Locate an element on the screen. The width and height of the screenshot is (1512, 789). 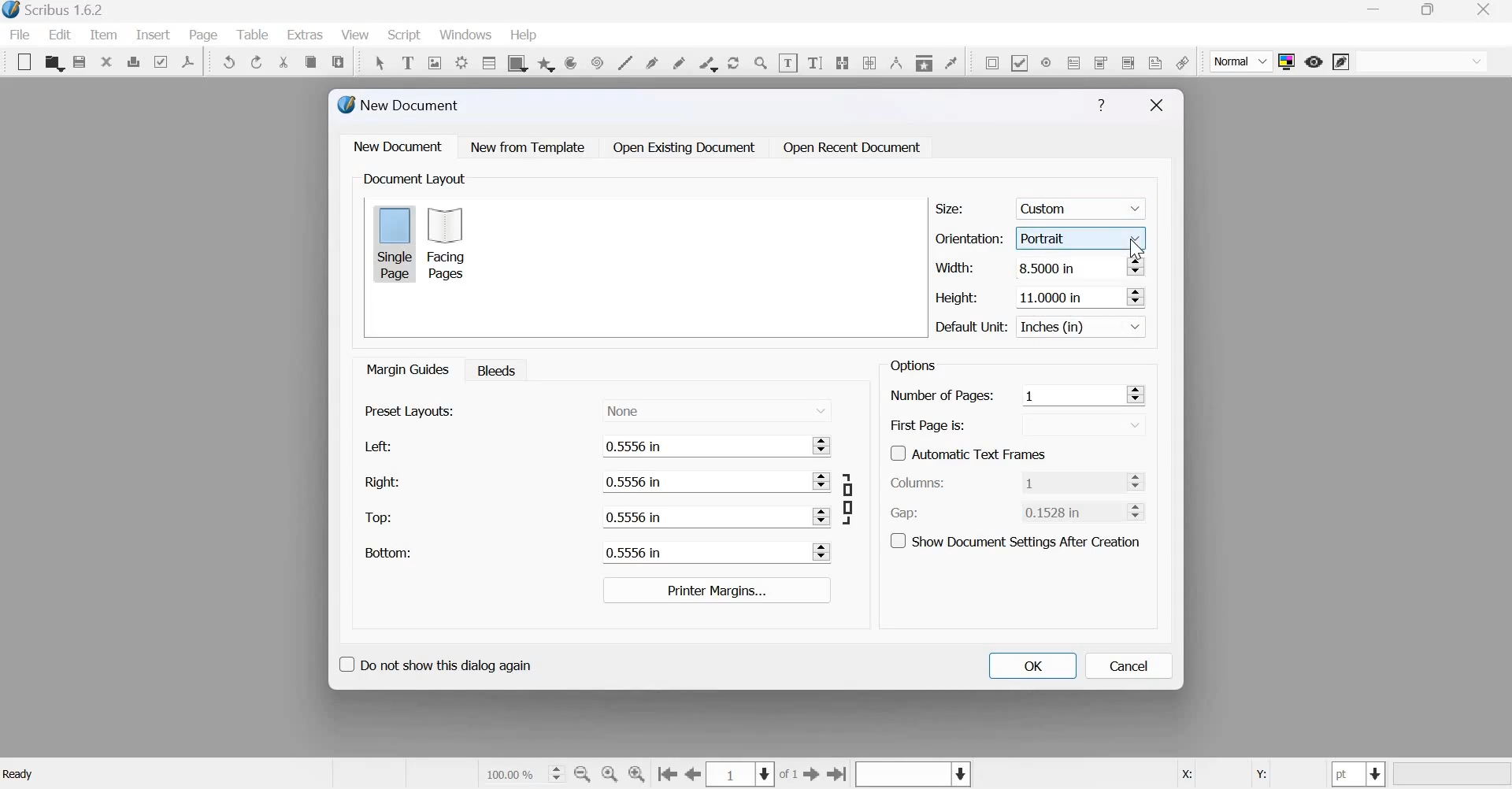
Orientation:  is located at coordinates (969, 237).